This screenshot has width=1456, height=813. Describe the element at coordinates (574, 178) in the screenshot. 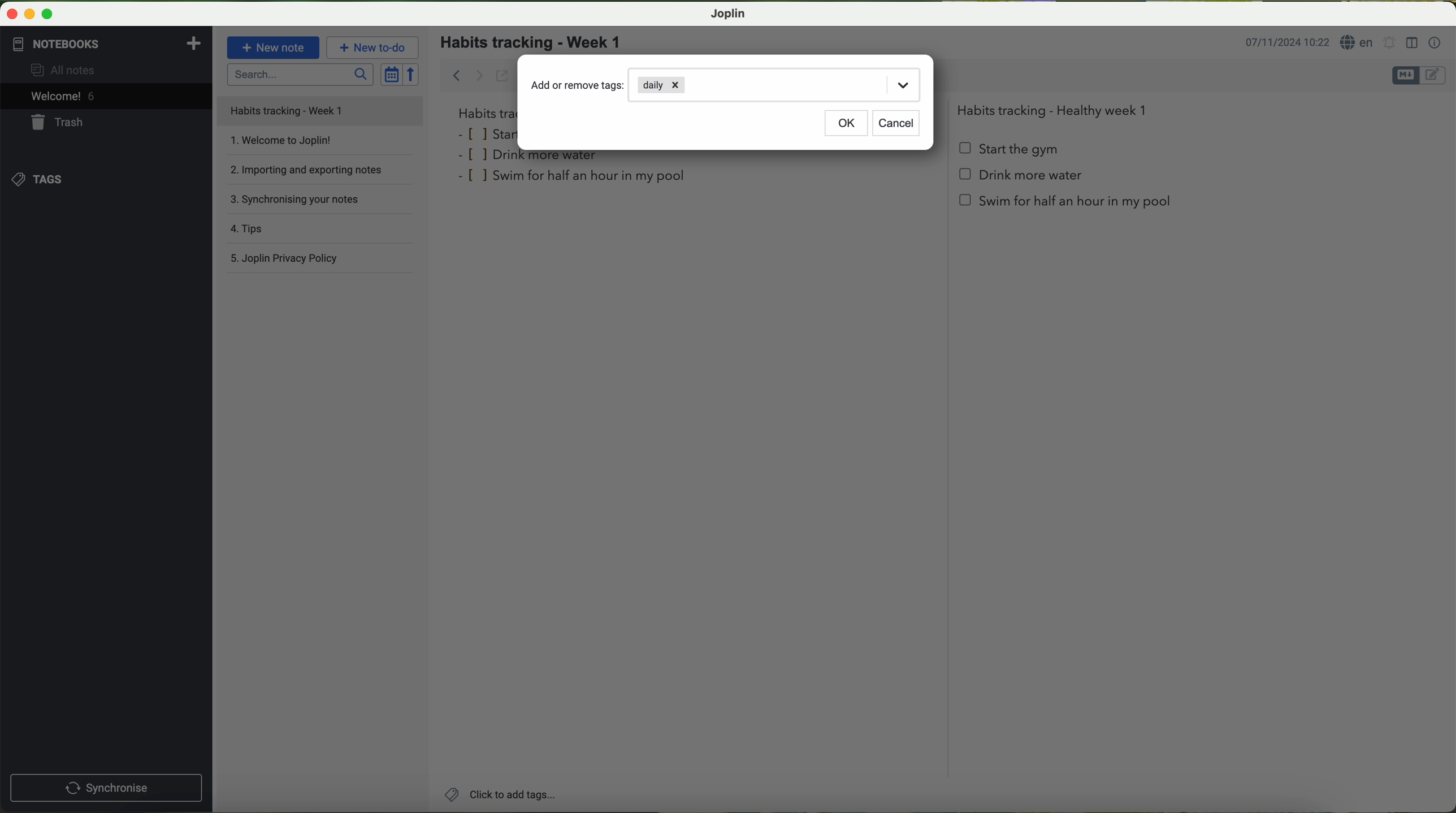

I see `swim for half an hour in my pool` at that location.